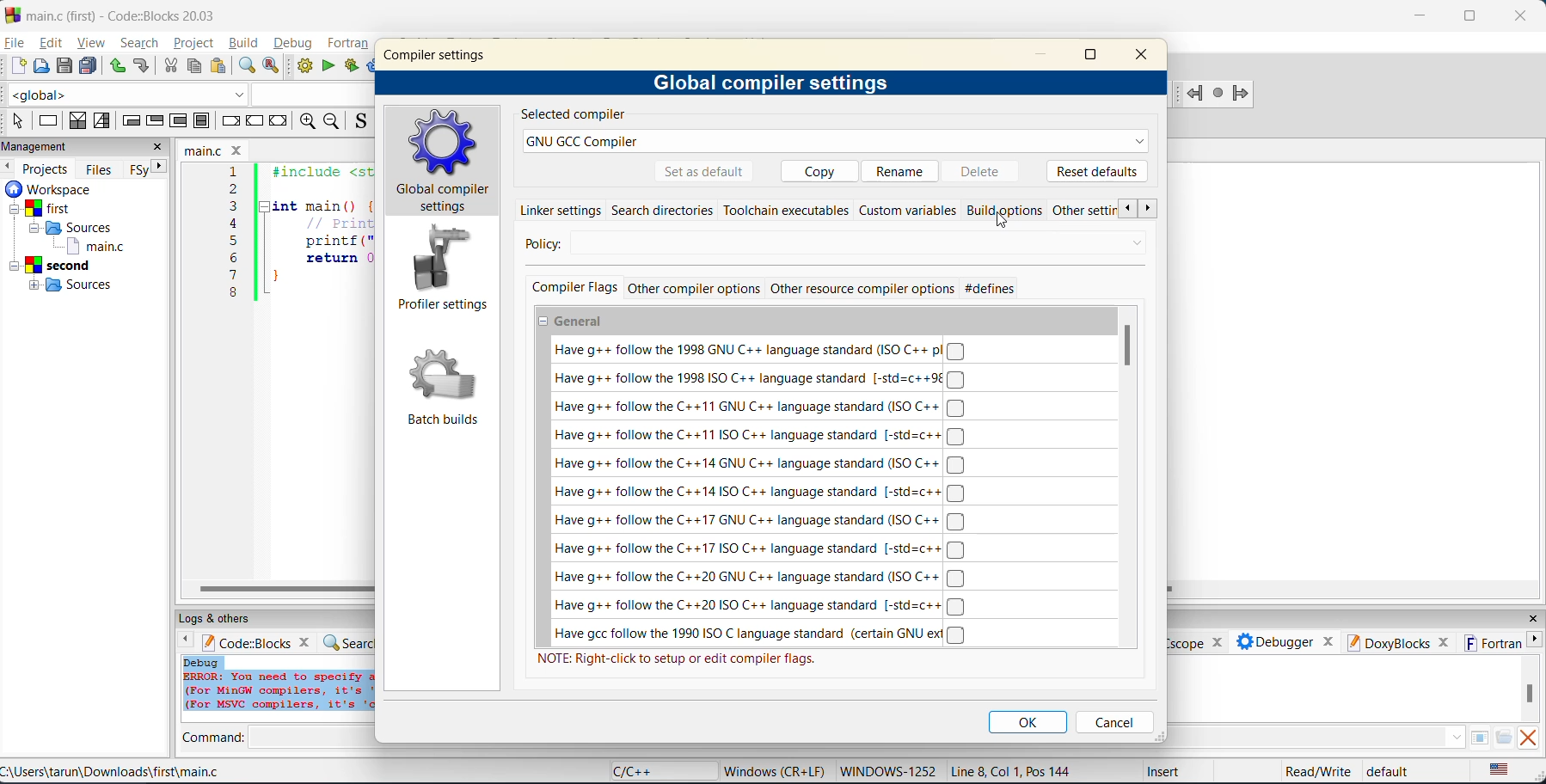 This screenshot has width=1546, height=784. Describe the element at coordinates (758, 436) in the screenshot. I see `Have g++ follow the C++111SO C++ language standard [-std=c++` at that location.